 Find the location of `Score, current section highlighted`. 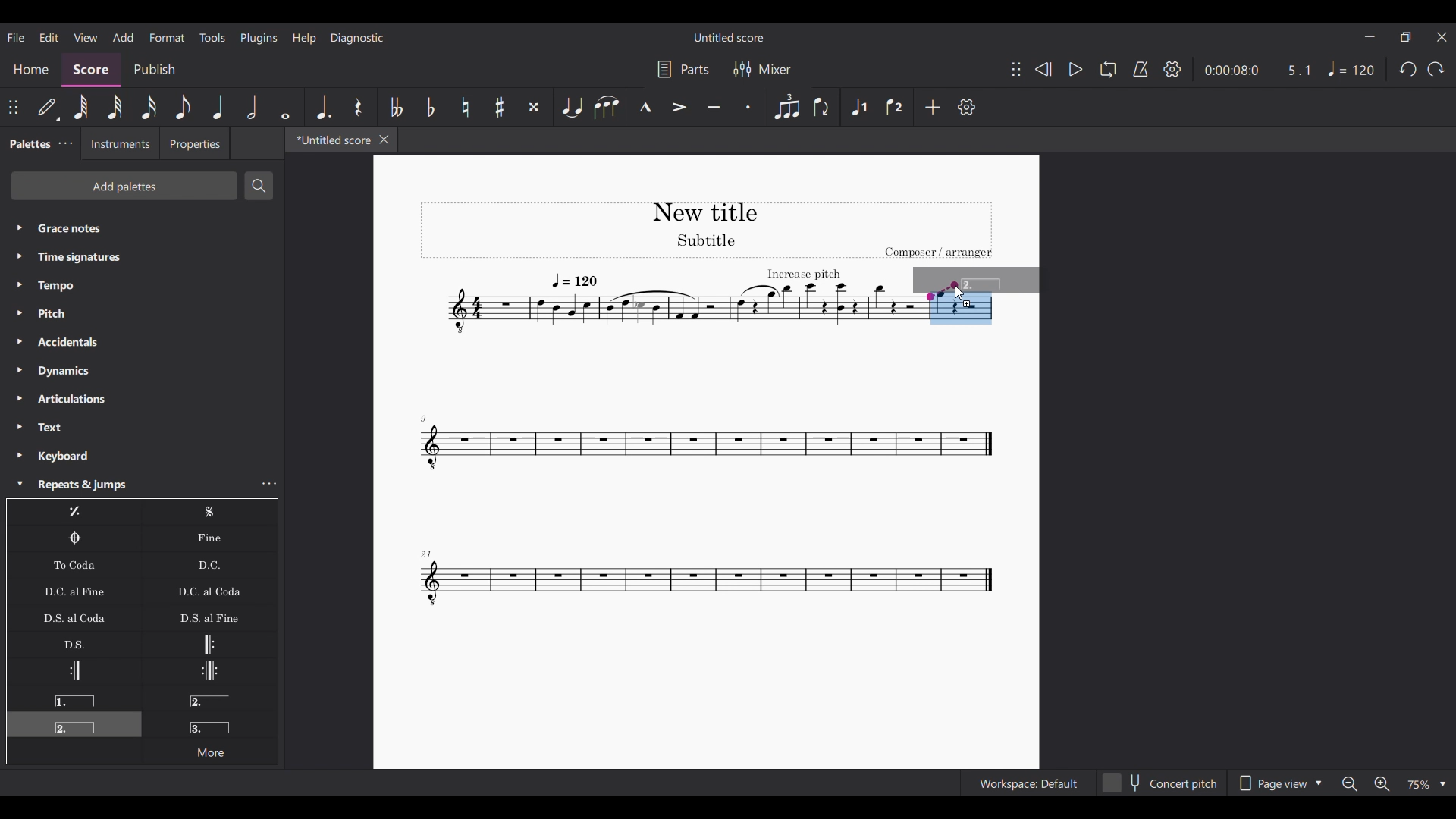

Score, current section highlighted is located at coordinates (91, 70).